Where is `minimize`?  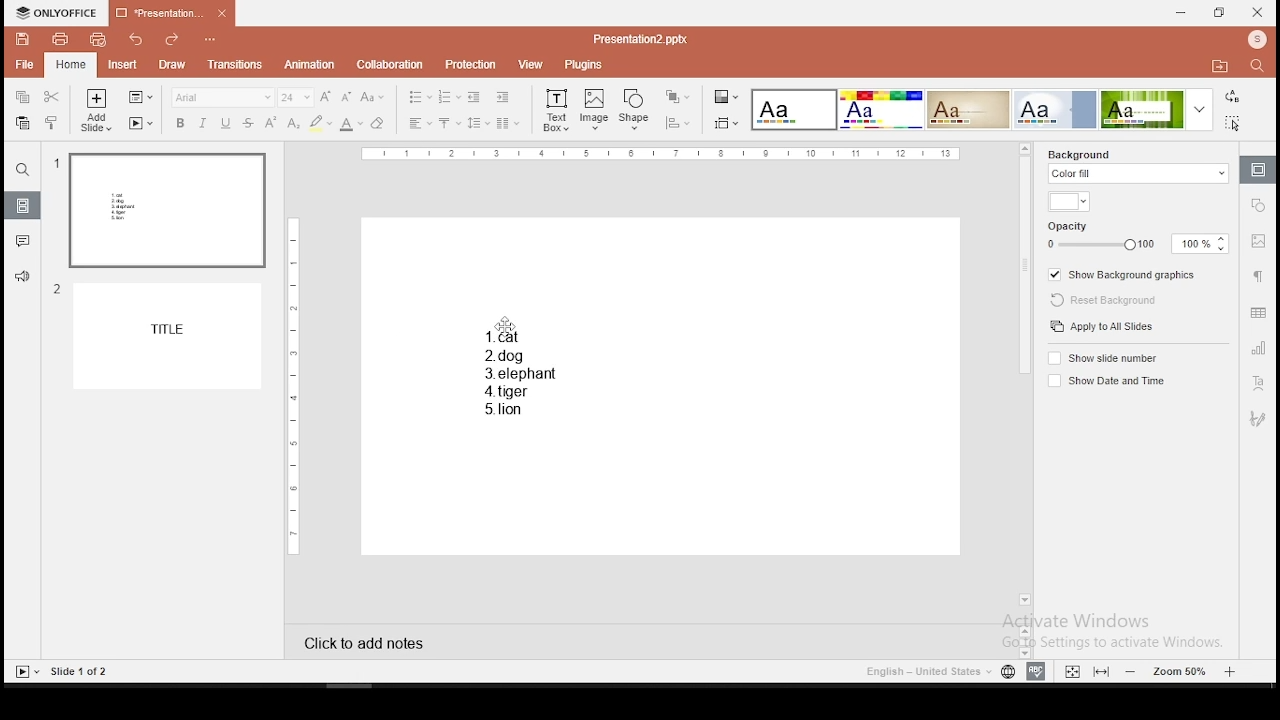 minimize is located at coordinates (1181, 14).